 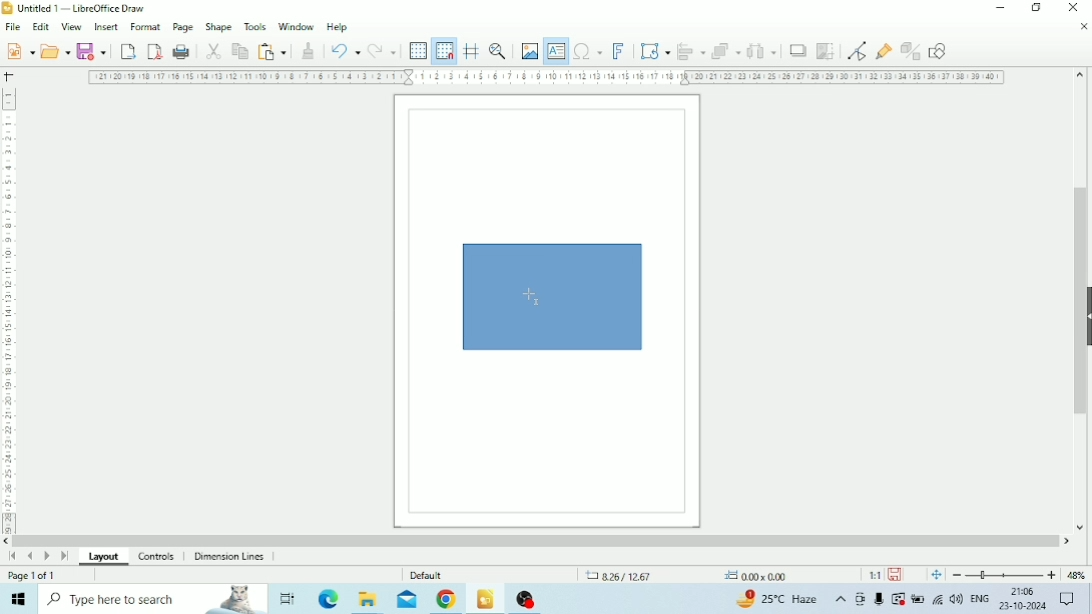 I want to click on File name, so click(x=85, y=8).